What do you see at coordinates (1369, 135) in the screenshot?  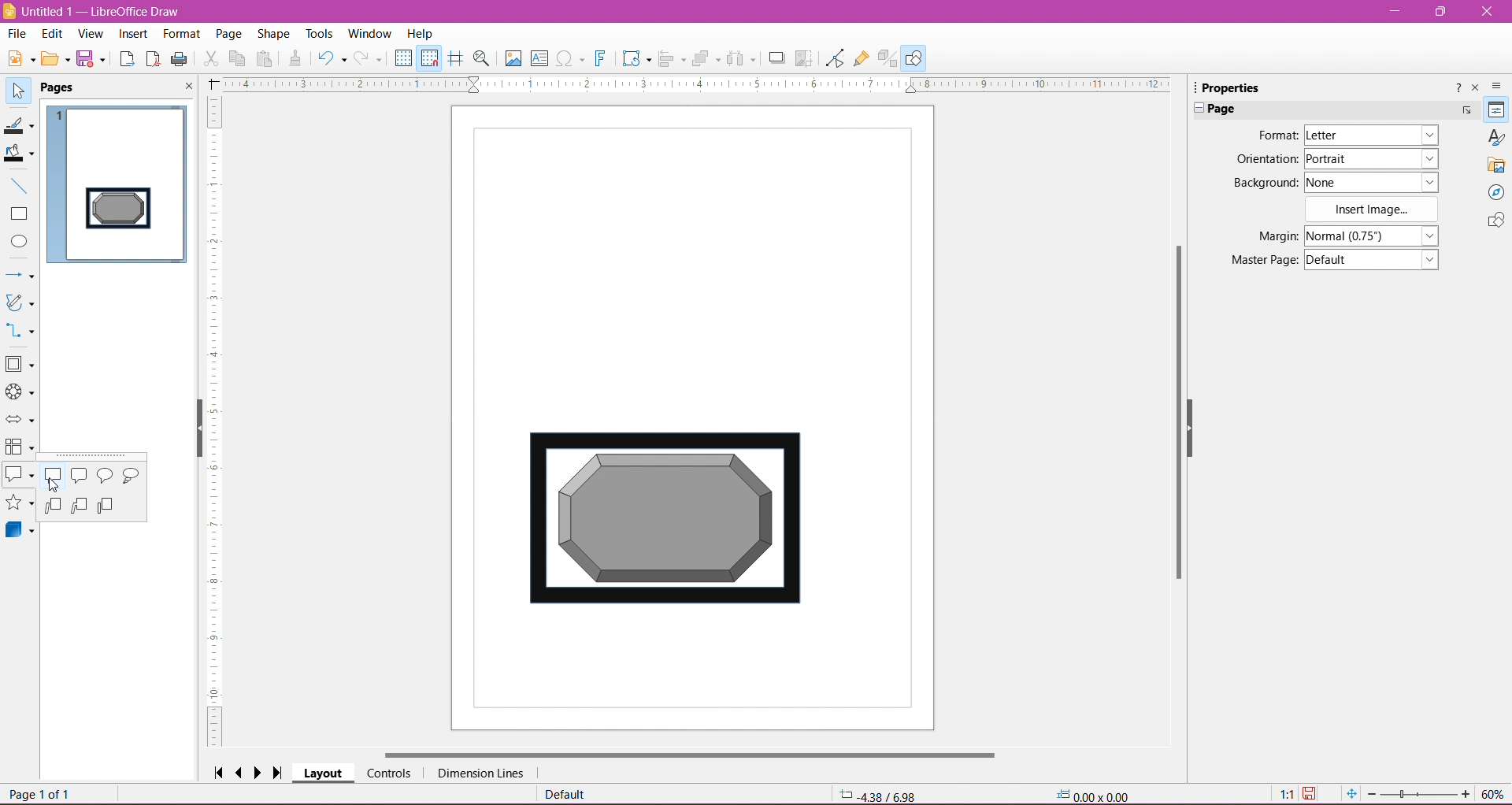 I see `Select page format type` at bounding box center [1369, 135].